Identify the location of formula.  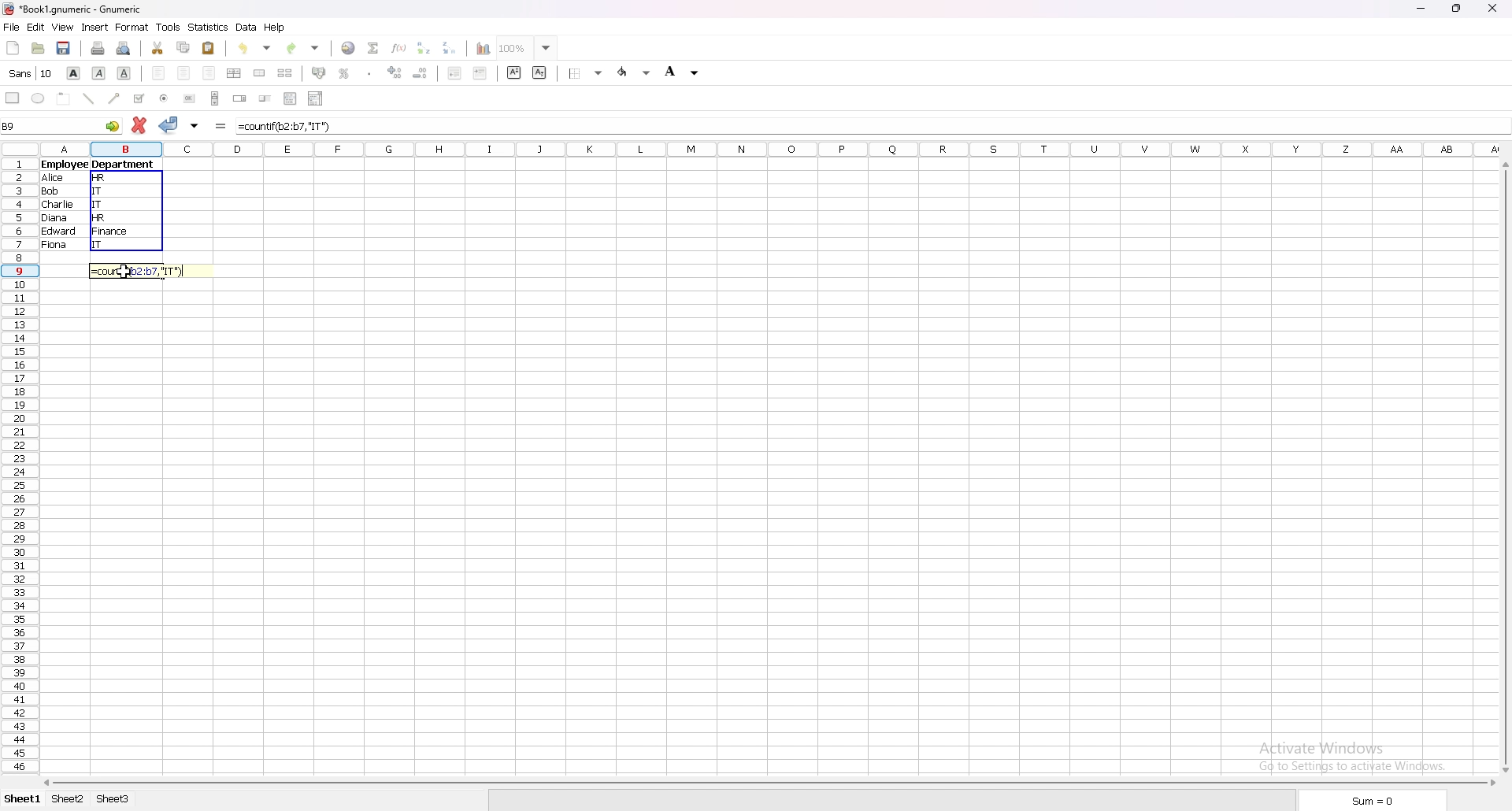
(139, 271).